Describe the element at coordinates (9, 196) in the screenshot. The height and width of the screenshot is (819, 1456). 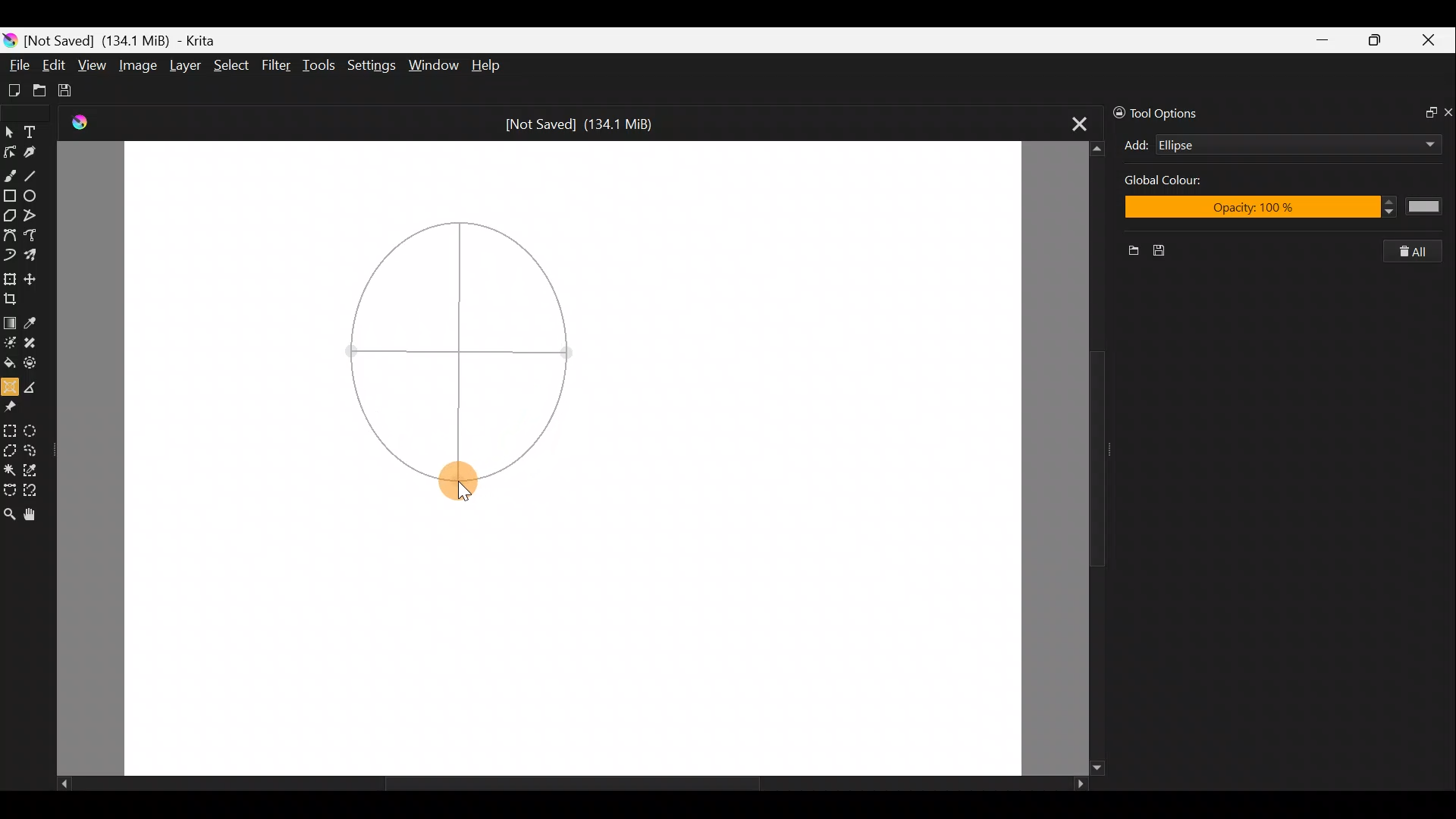
I see `Rectangle` at that location.